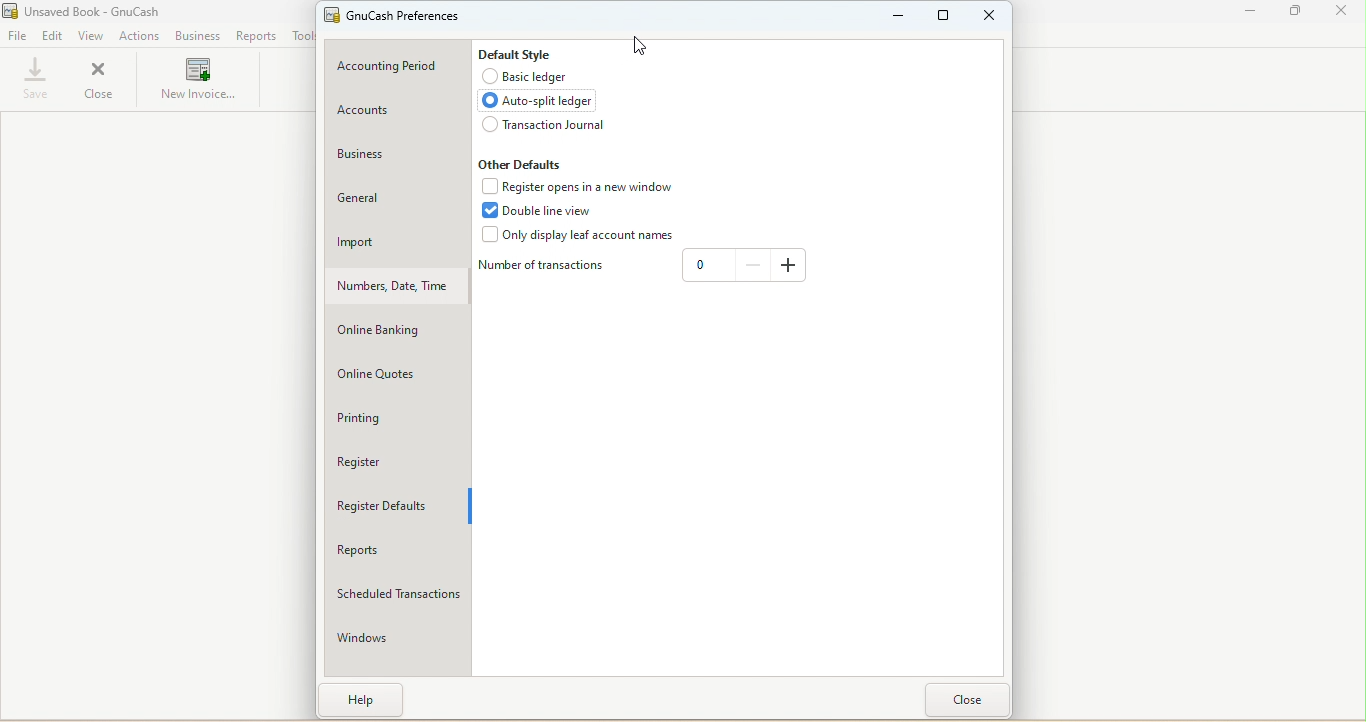  Describe the element at coordinates (393, 287) in the screenshot. I see `Number, Date, Time` at that location.